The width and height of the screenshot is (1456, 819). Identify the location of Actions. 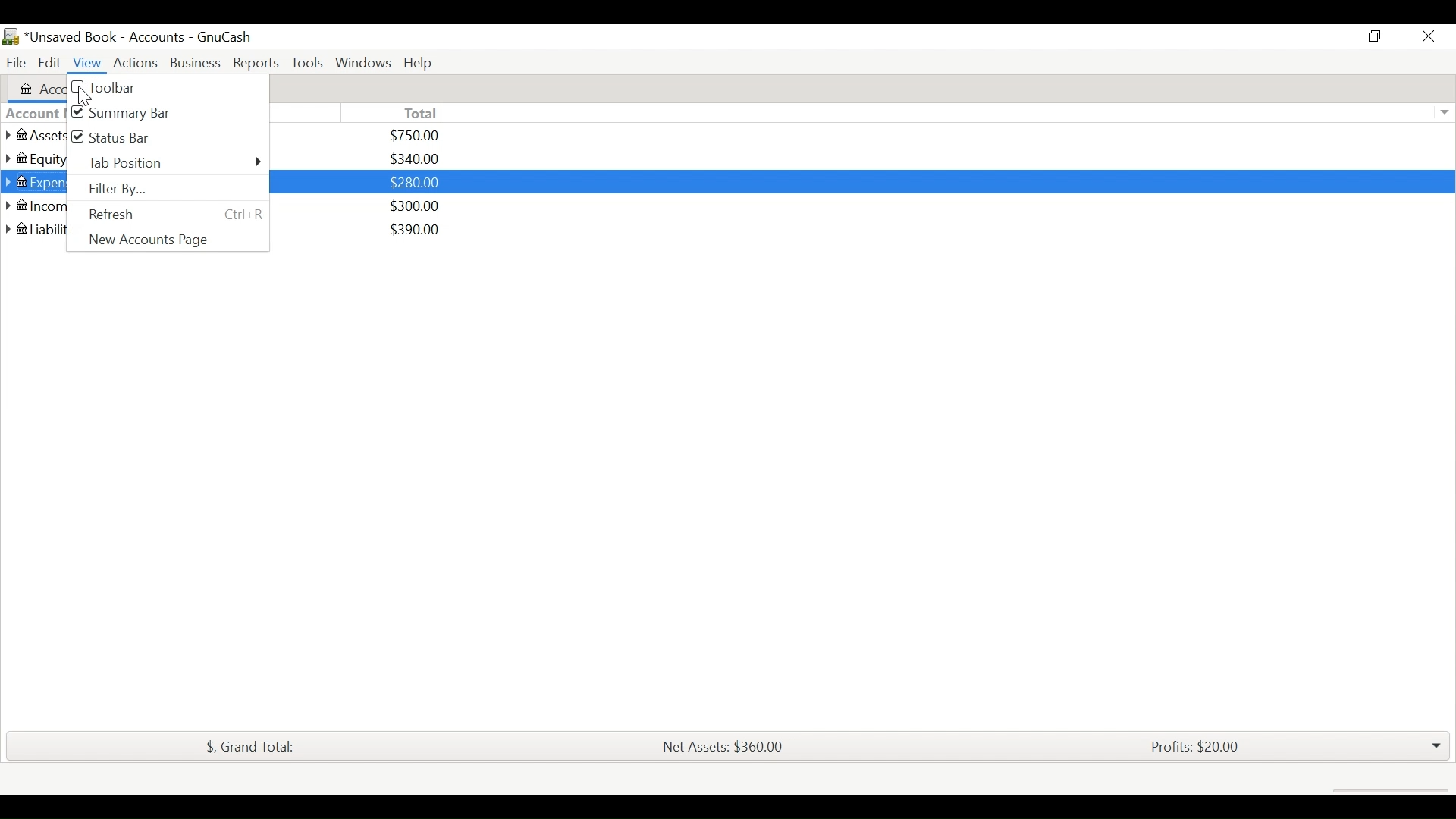
(136, 61).